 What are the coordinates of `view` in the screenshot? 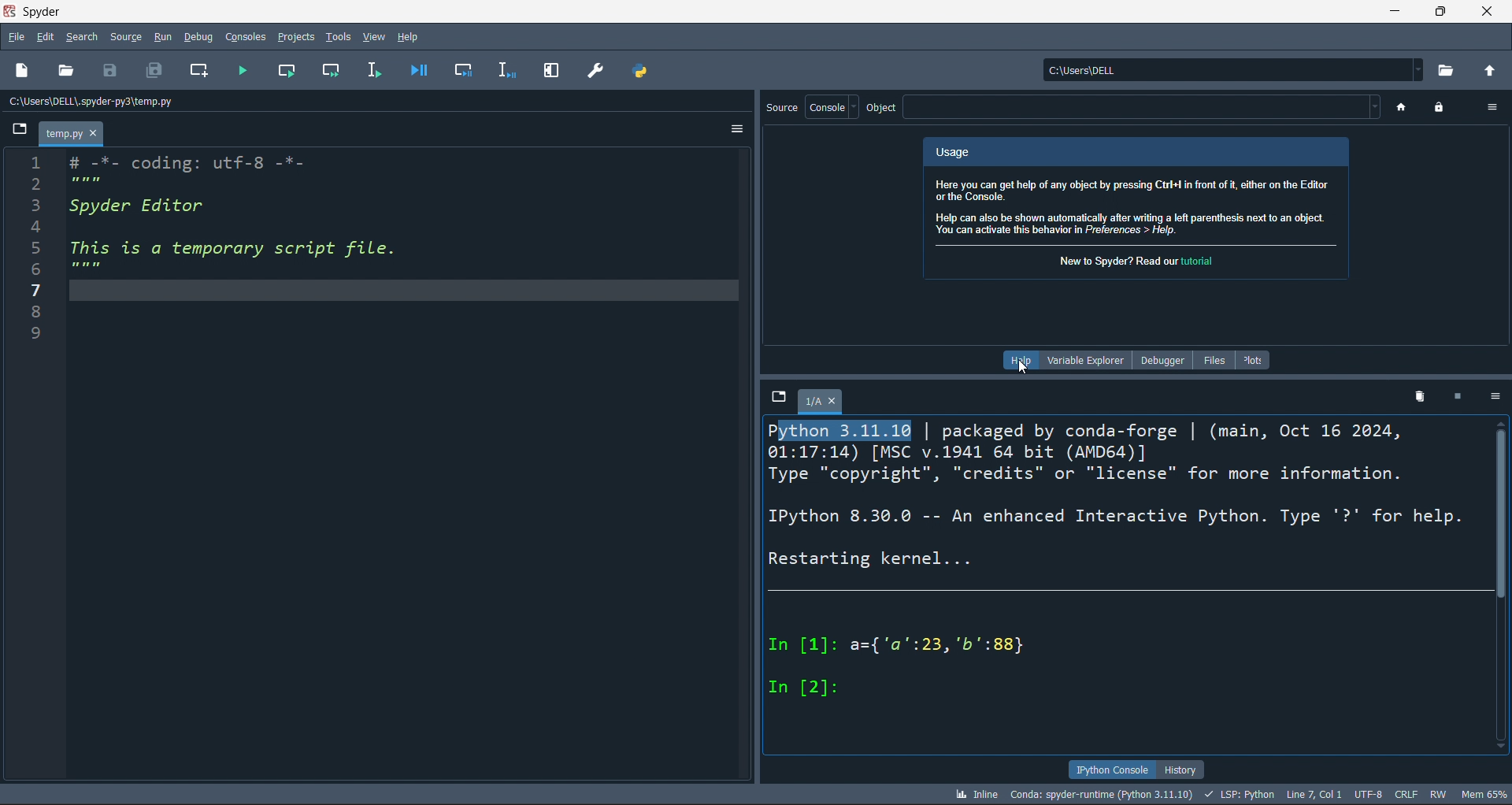 It's located at (376, 35).